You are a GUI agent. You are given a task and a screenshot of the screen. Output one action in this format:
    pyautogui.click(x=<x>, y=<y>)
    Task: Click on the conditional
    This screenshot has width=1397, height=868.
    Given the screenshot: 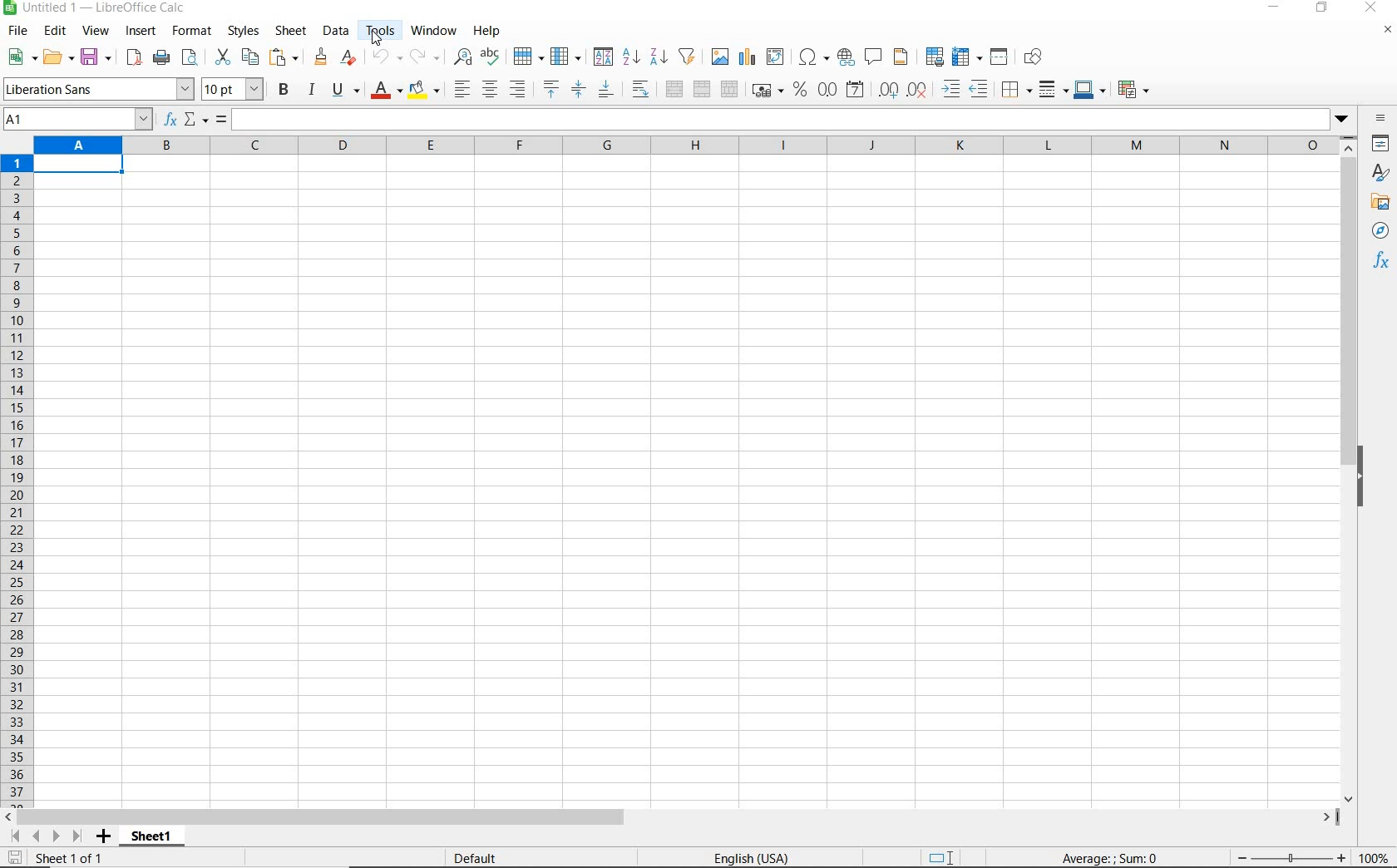 What is the action you would take?
    pyautogui.click(x=1141, y=89)
    